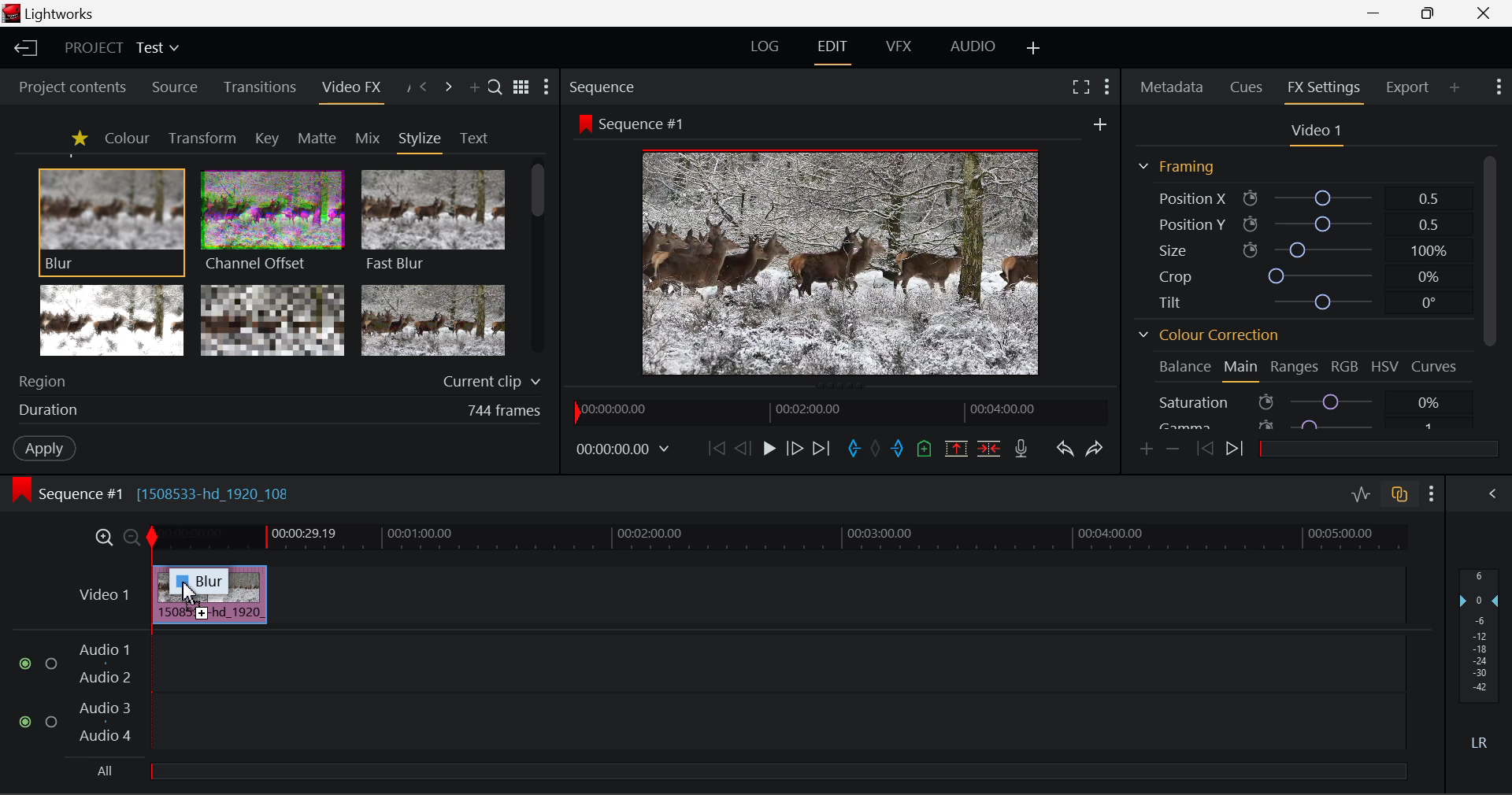  I want to click on Balance, so click(1184, 369).